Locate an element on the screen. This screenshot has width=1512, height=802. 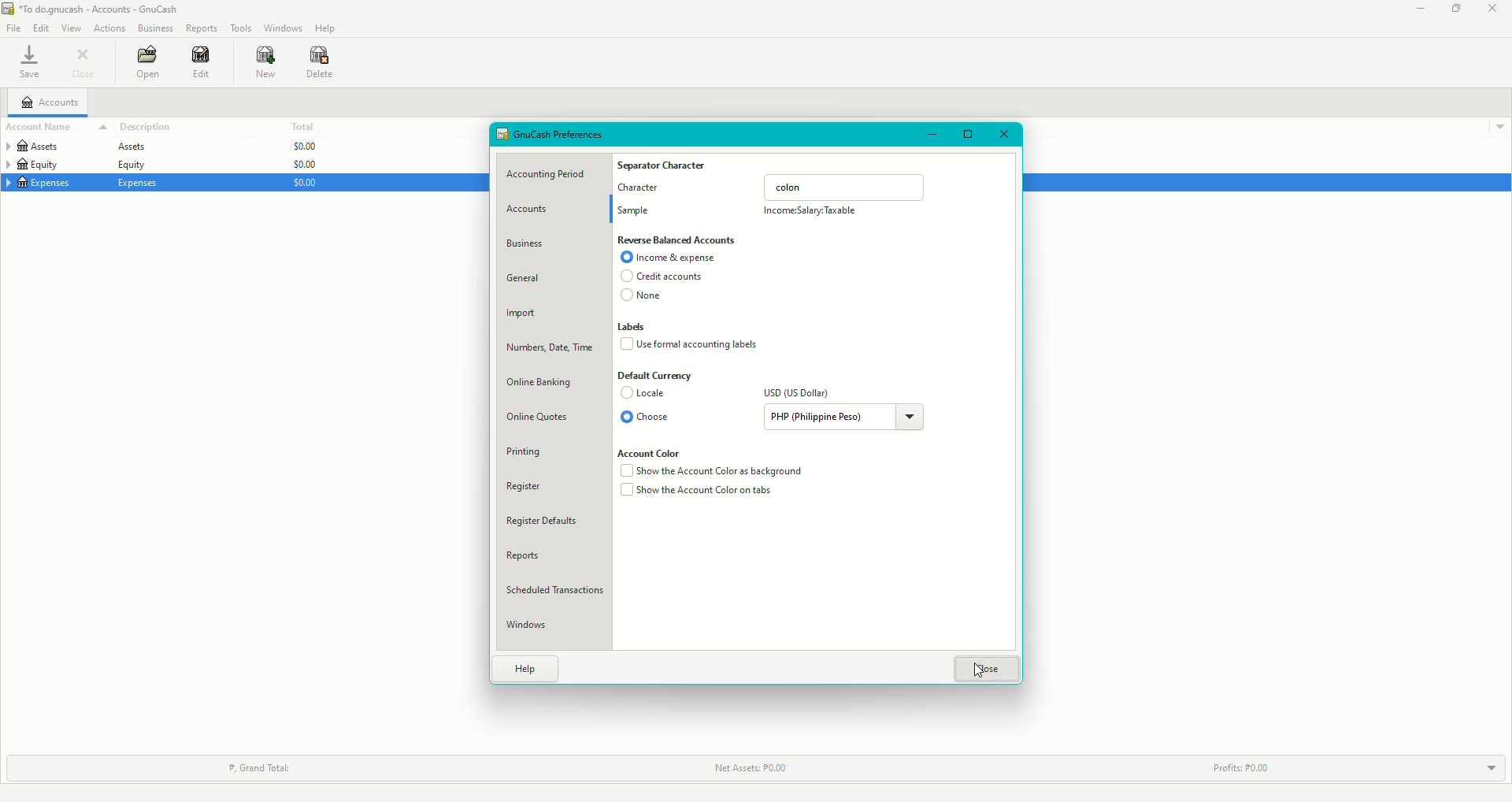
Use formal accounting labels is located at coordinates (693, 343).